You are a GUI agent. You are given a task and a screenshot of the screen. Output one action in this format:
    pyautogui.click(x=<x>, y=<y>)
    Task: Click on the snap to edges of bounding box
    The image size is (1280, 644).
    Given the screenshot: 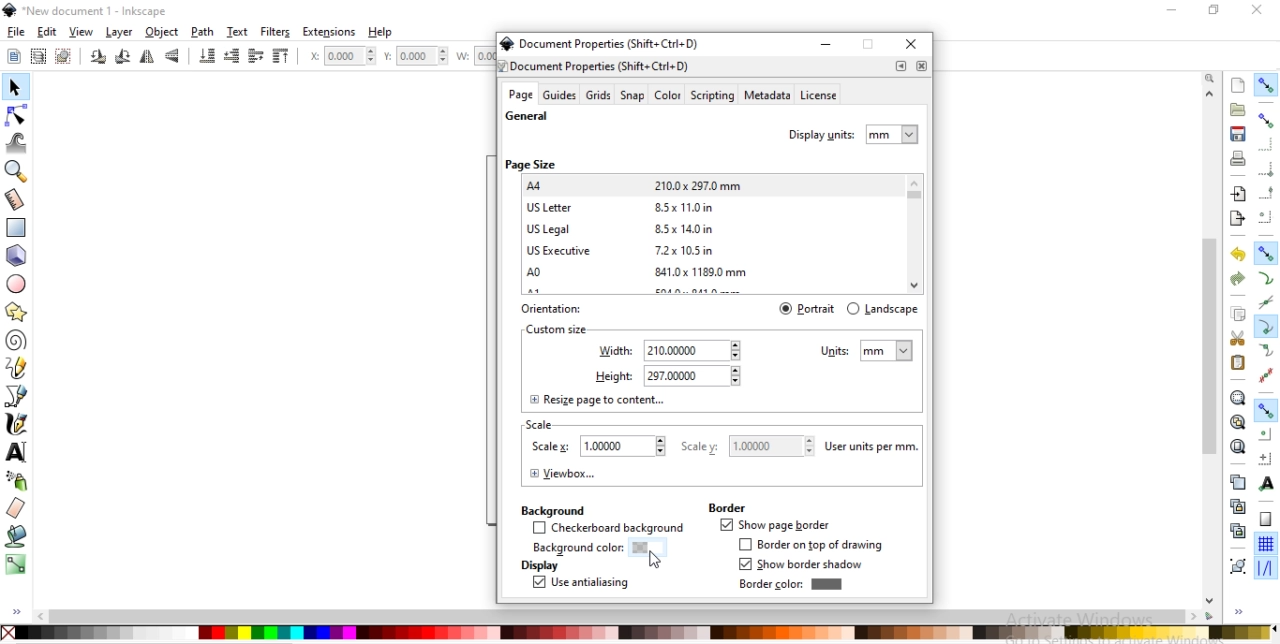 What is the action you would take?
    pyautogui.click(x=1267, y=144)
    